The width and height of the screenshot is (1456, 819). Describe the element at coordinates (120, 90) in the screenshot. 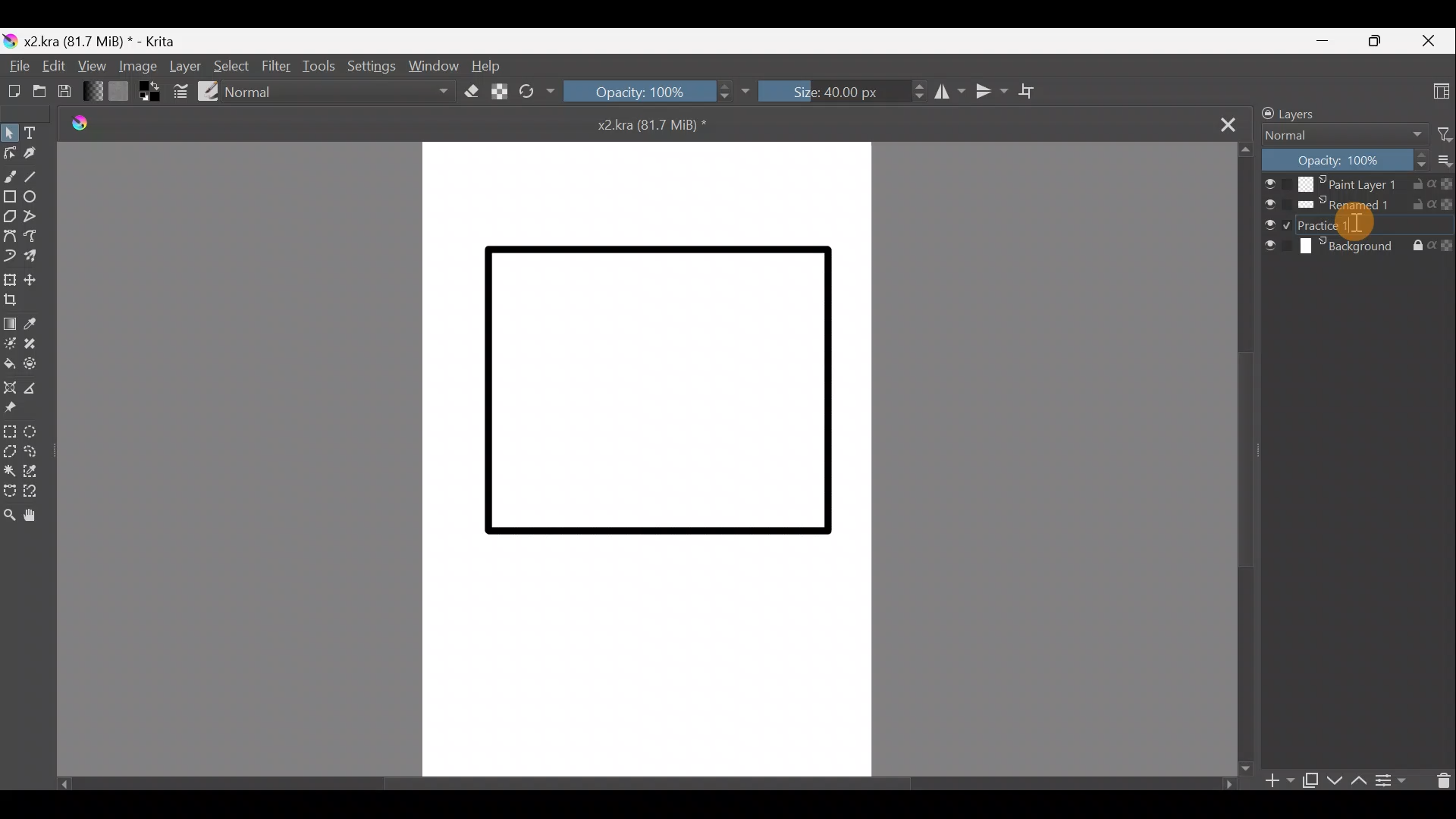

I see `Fill patterns` at that location.